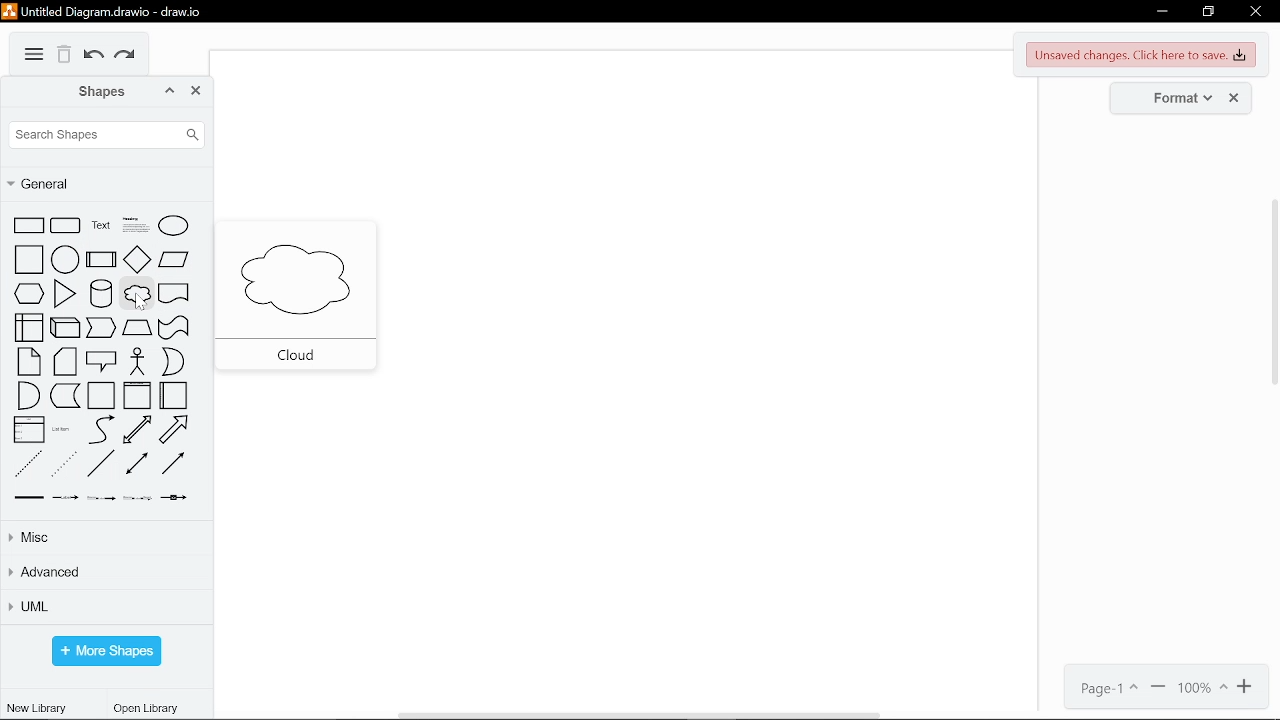  What do you see at coordinates (1159, 688) in the screenshot?
I see `zoom out` at bounding box center [1159, 688].